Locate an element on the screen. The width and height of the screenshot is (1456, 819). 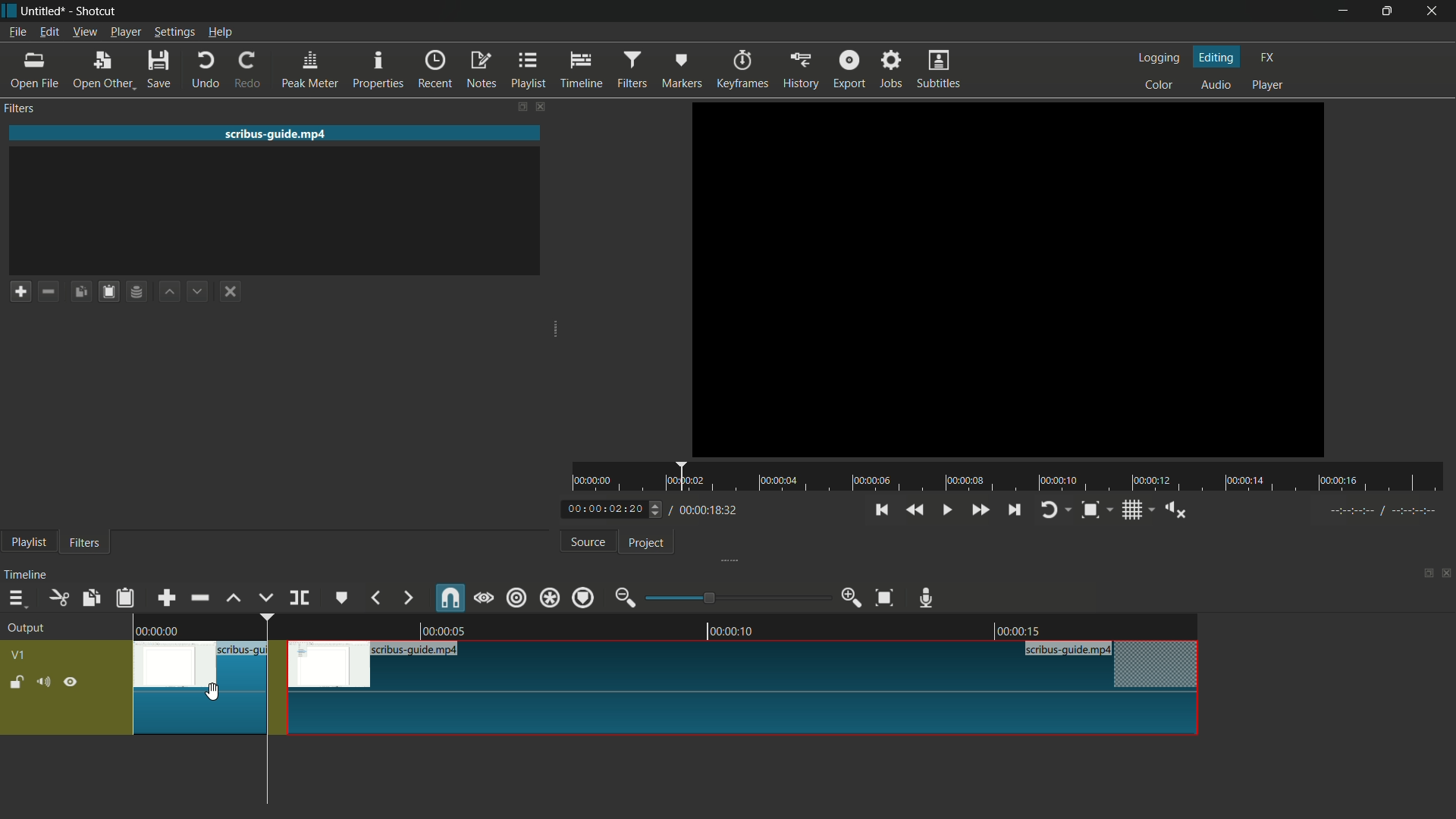
lift is located at coordinates (234, 598).